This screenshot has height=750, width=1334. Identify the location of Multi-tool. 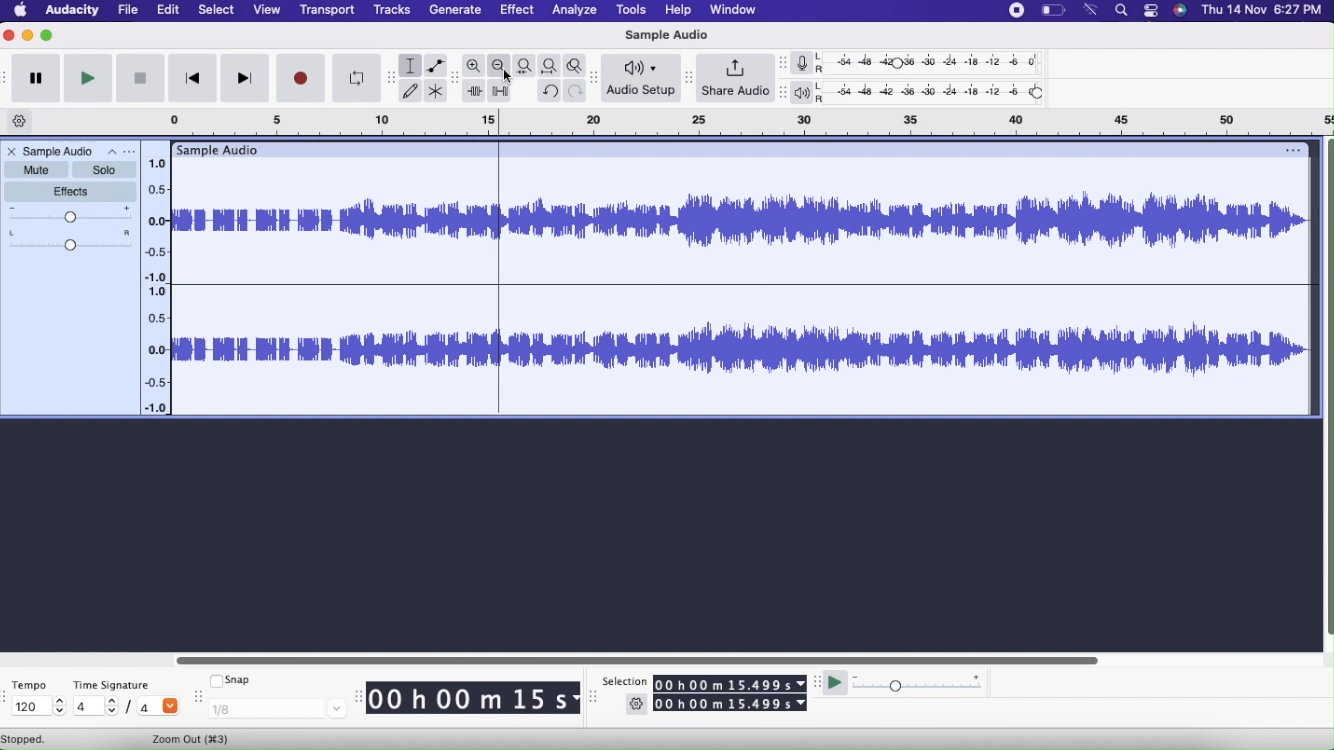
(437, 90).